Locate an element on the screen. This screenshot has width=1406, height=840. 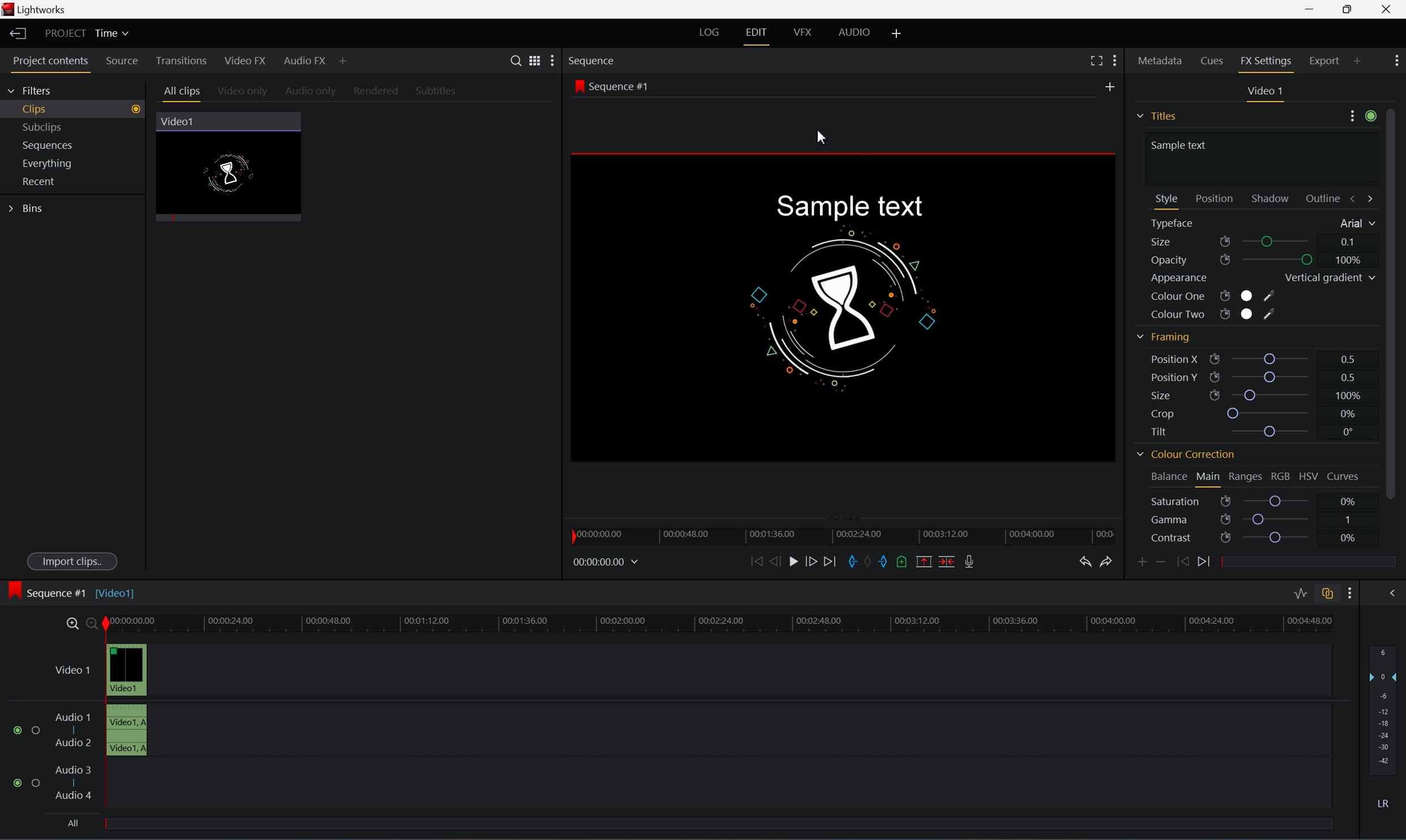
arial is located at coordinates (1355, 224).